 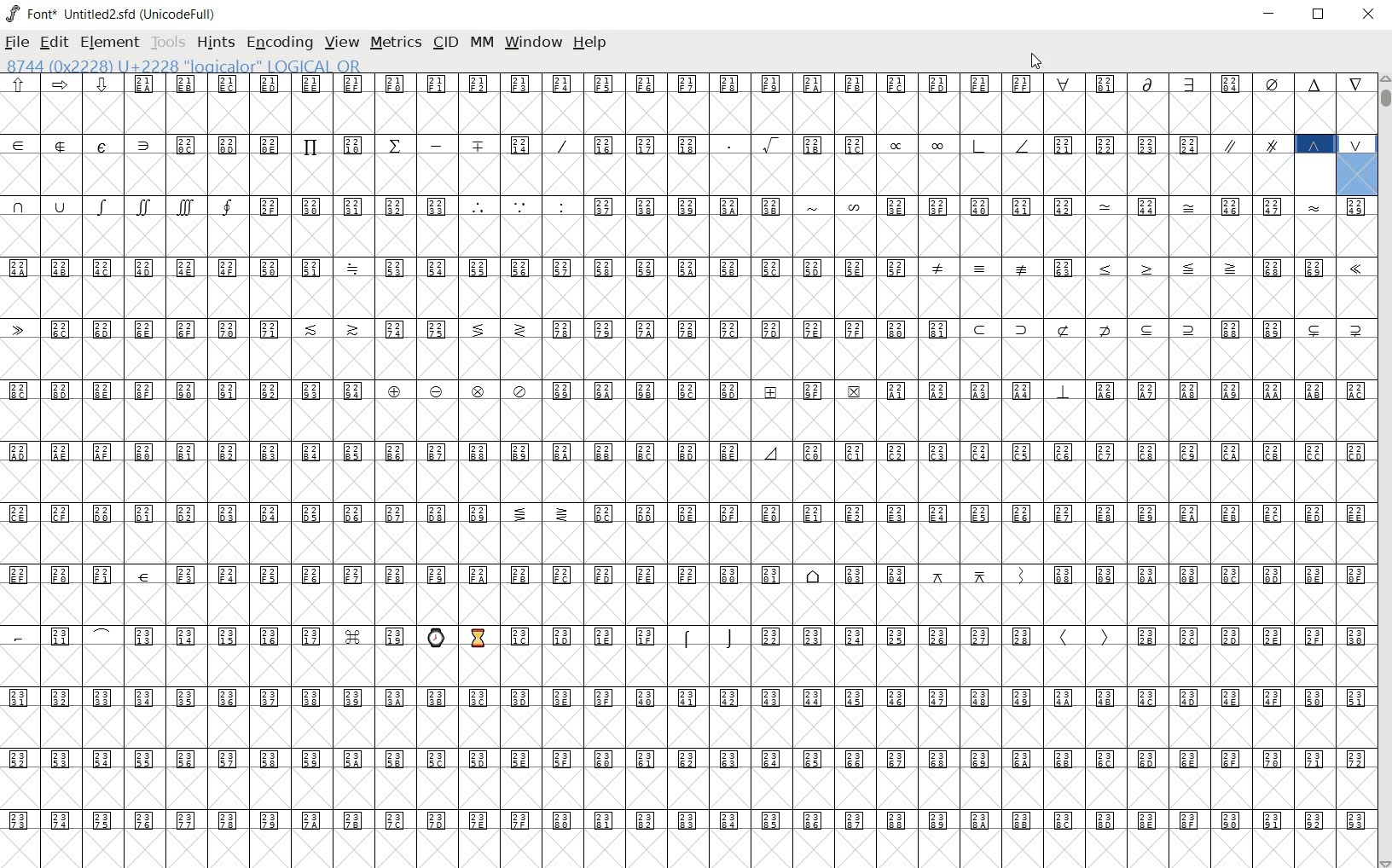 What do you see at coordinates (109, 13) in the screenshot?
I see `font* Untitled2.sfd (UnicodeFull)` at bounding box center [109, 13].